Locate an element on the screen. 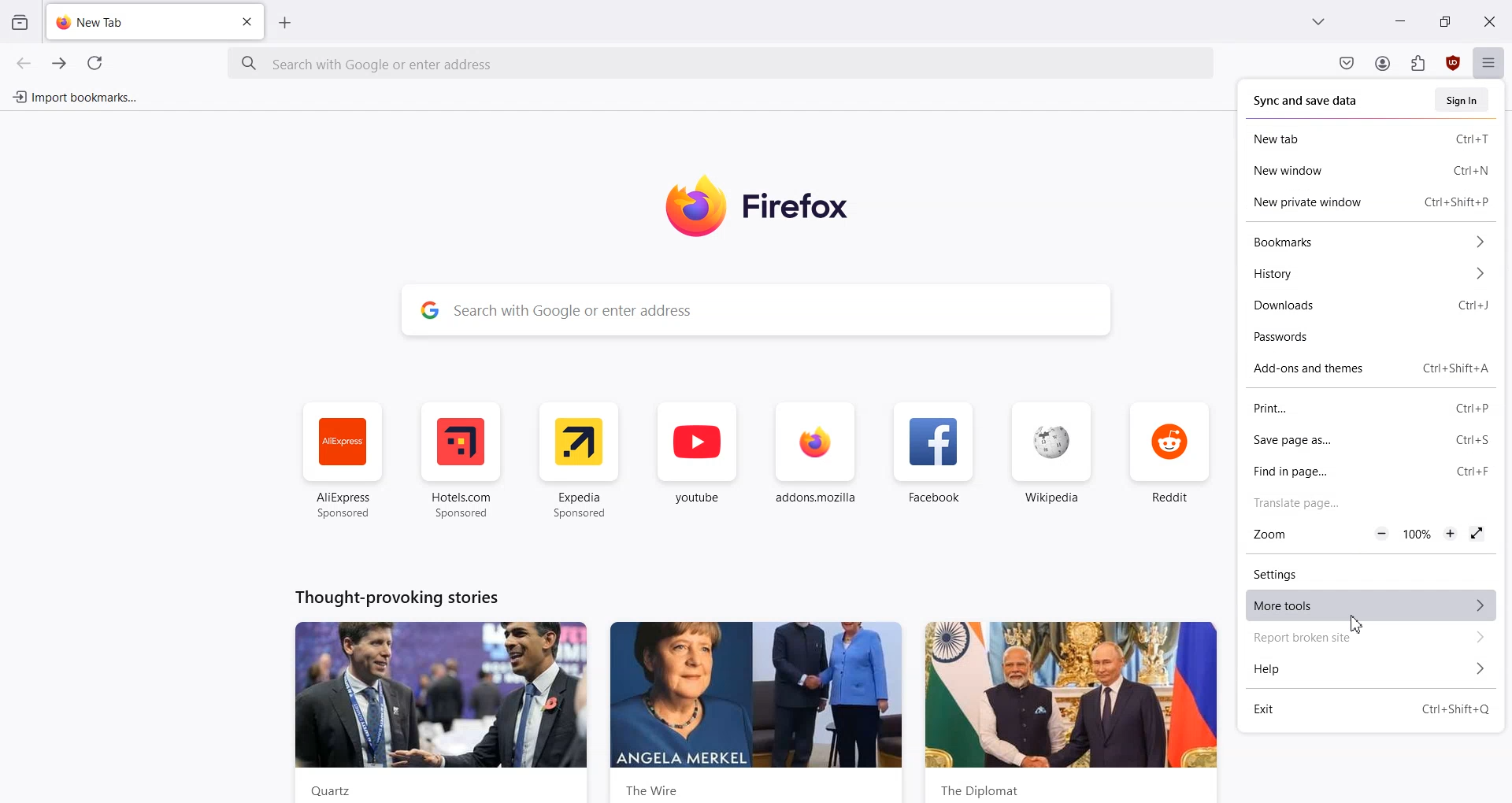 This screenshot has height=803, width=1512. Shortcut key is located at coordinates (1469, 140).